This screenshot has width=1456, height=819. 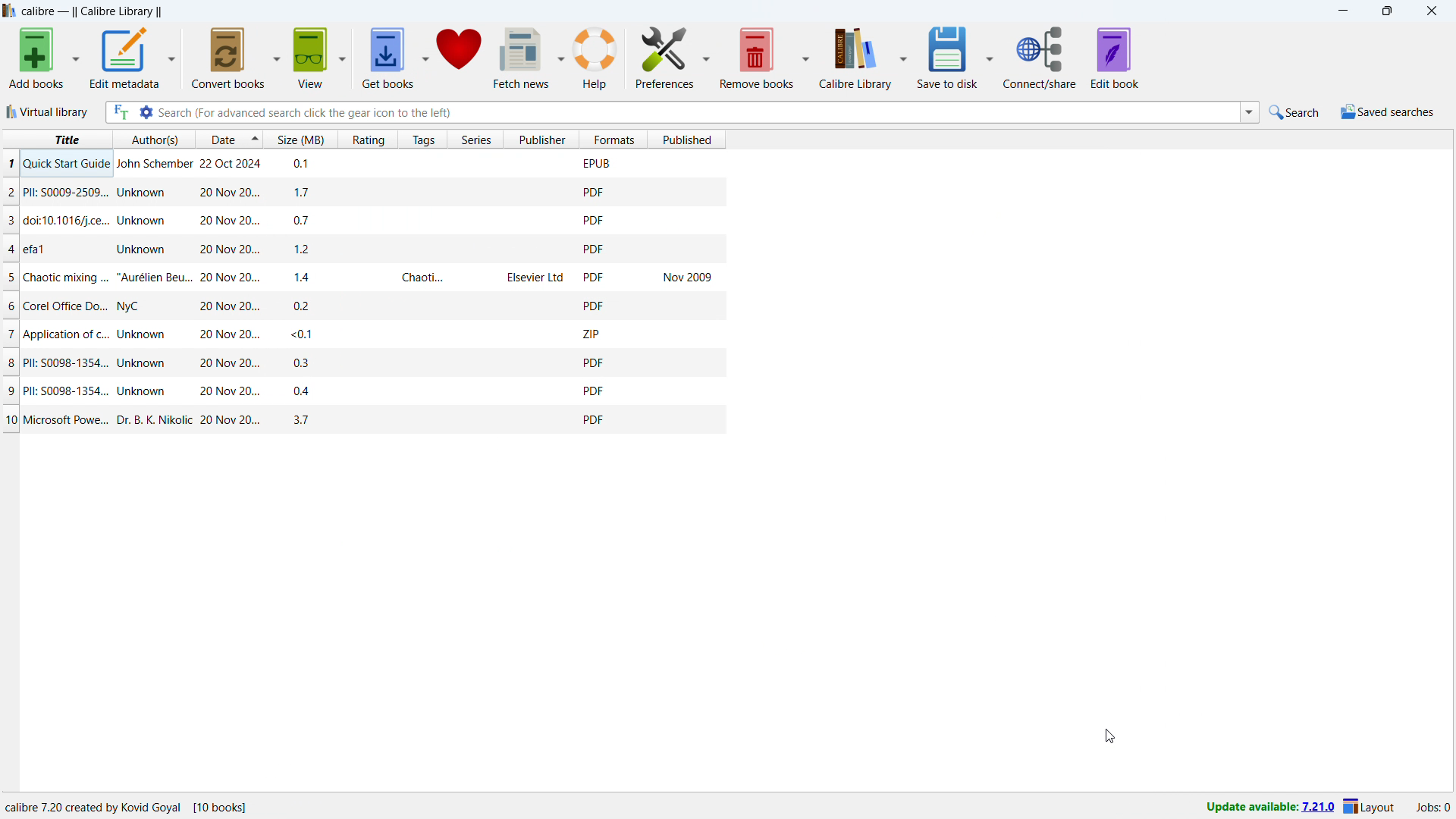 What do you see at coordinates (366, 193) in the screenshot?
I see `2 Pll: S0009-2509... Unknown 20 Nov 20... 17` at bounding box center [366, 193].